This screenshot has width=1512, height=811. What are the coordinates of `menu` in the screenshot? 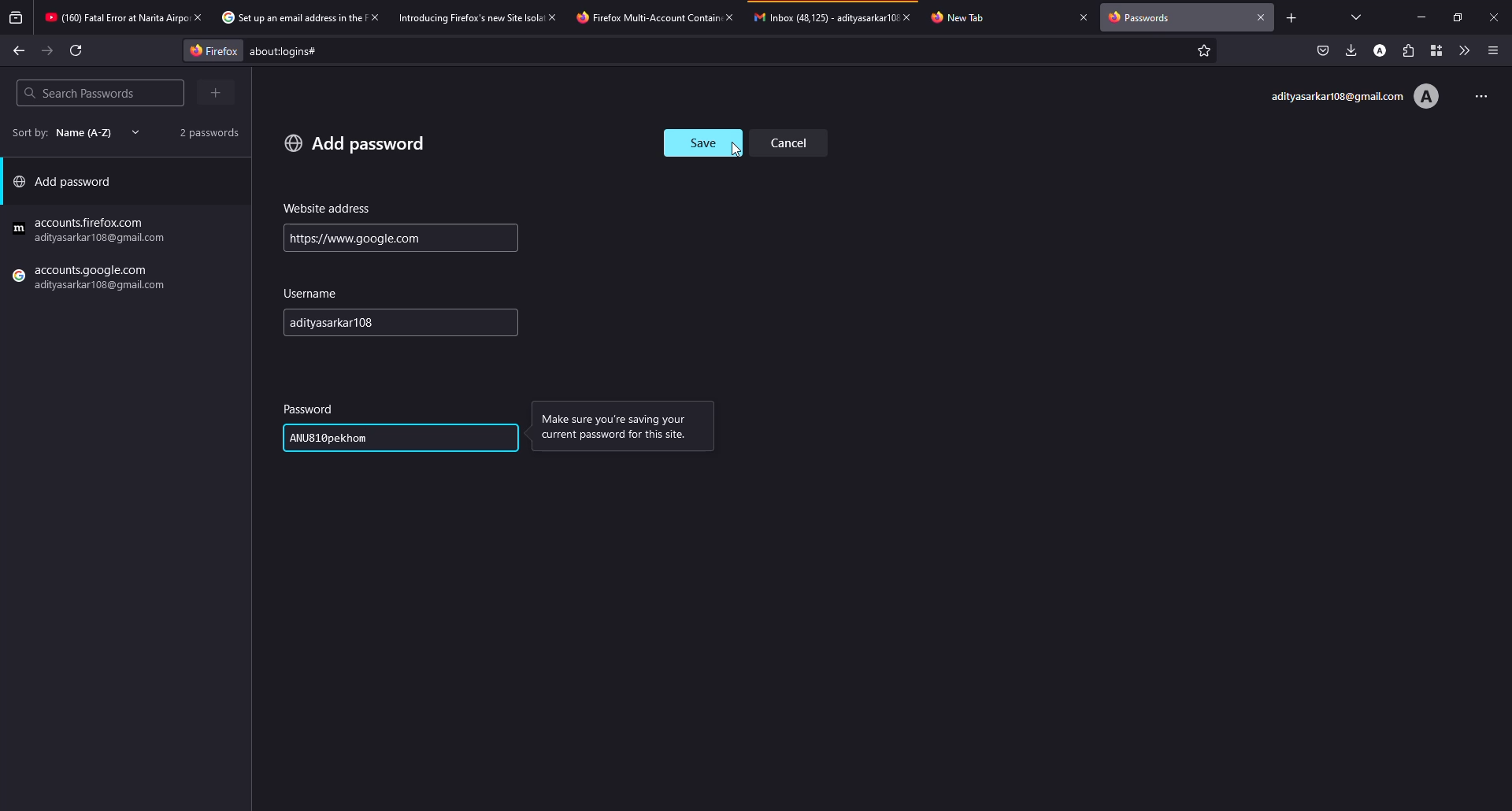 It's located at (1493, 50).